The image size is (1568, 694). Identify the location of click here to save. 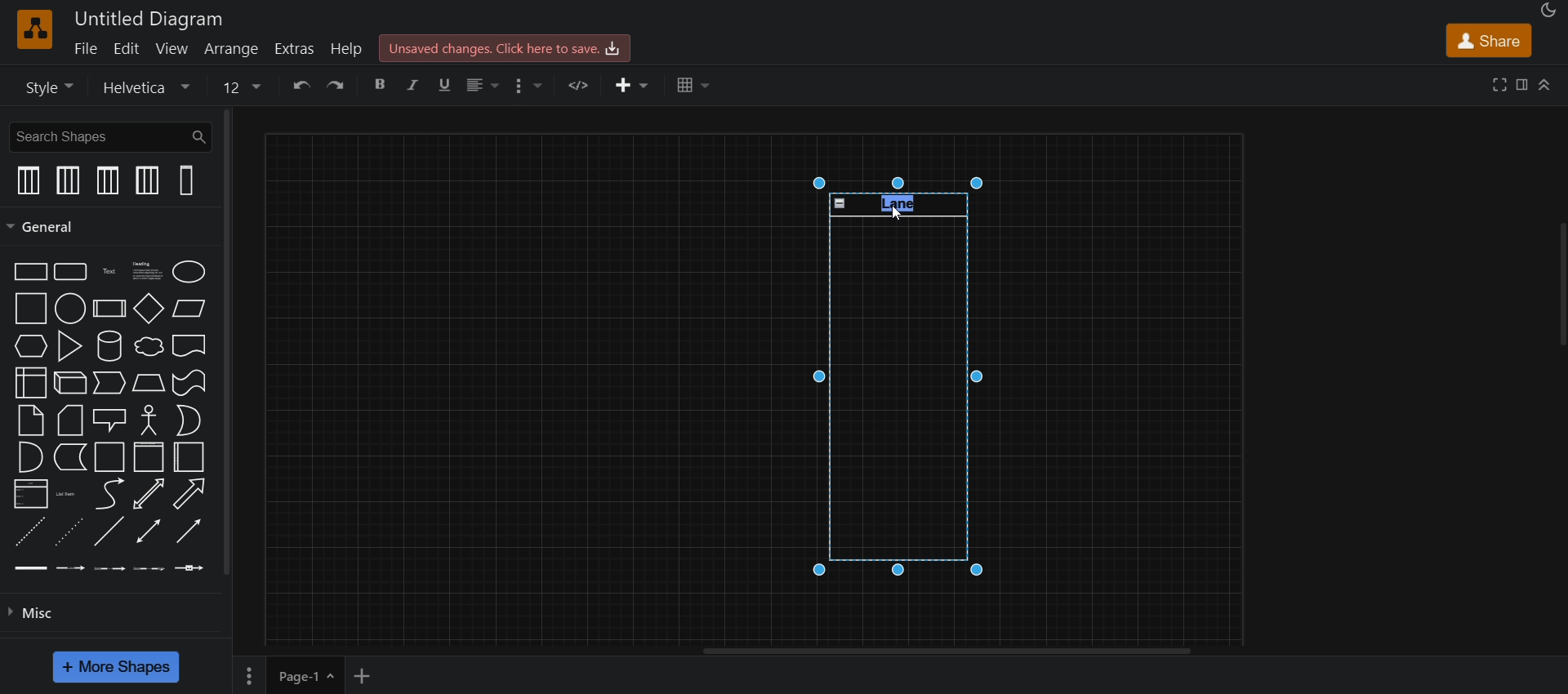
(505, 47).